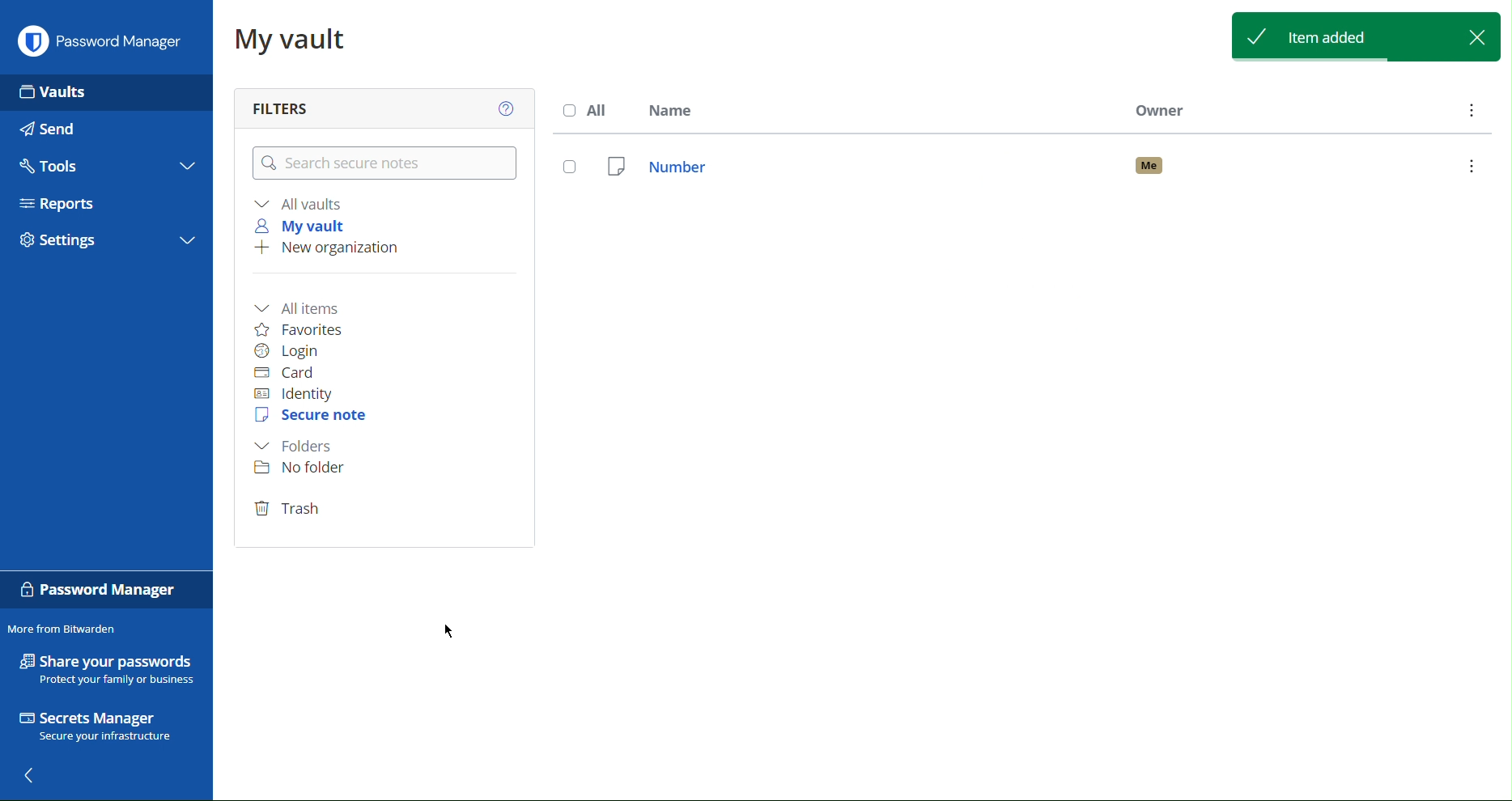 The image size is (1512, 801). What do you see at coordinates (293, 372) in the screenshot?
I see `Card` at bounding box center [293, 372].